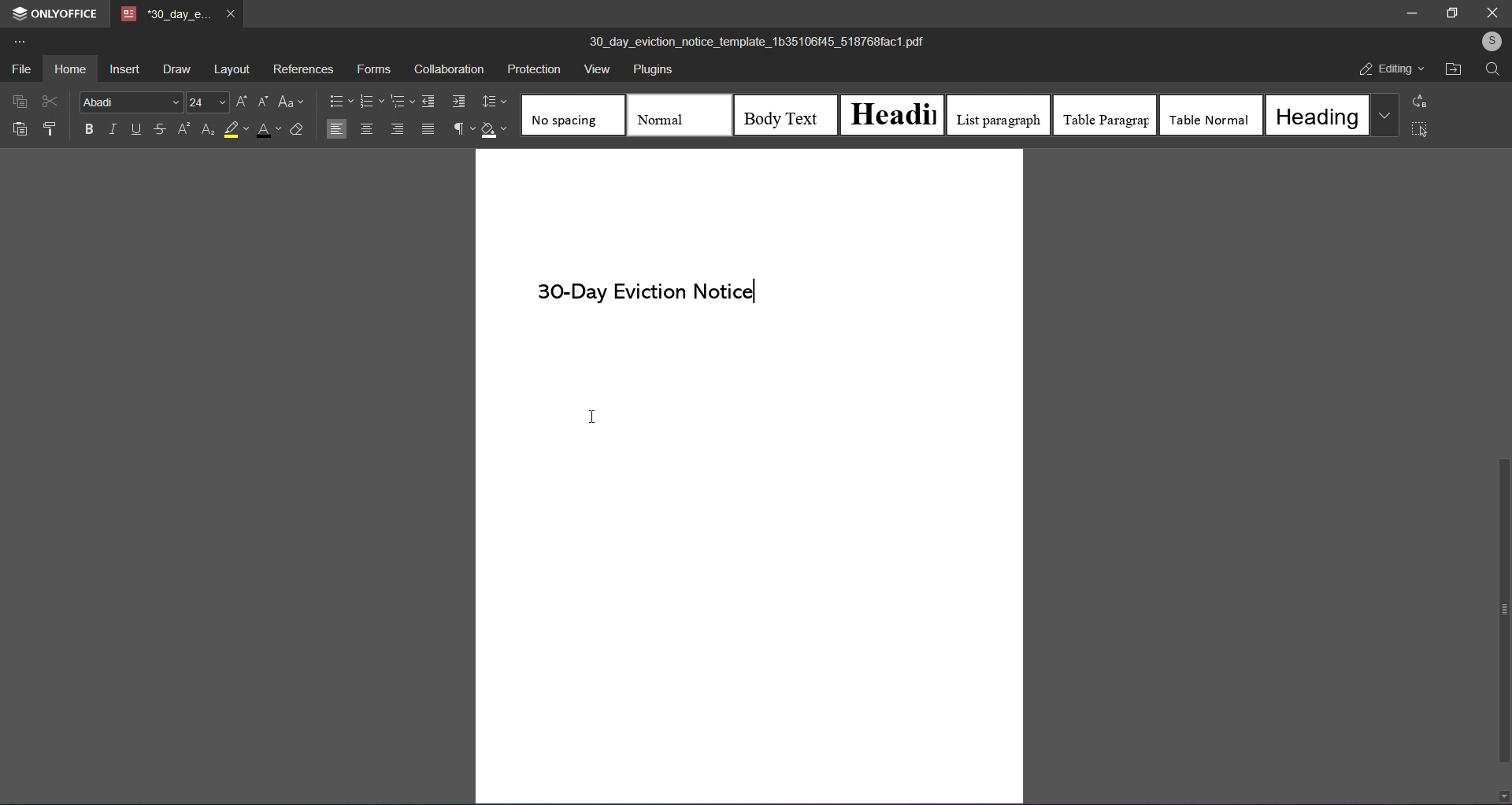 The height and width of the screenshot is (805, 1512). Describe the element at coordinates (206, 102) in the screenshot. I see `font size` at that location.